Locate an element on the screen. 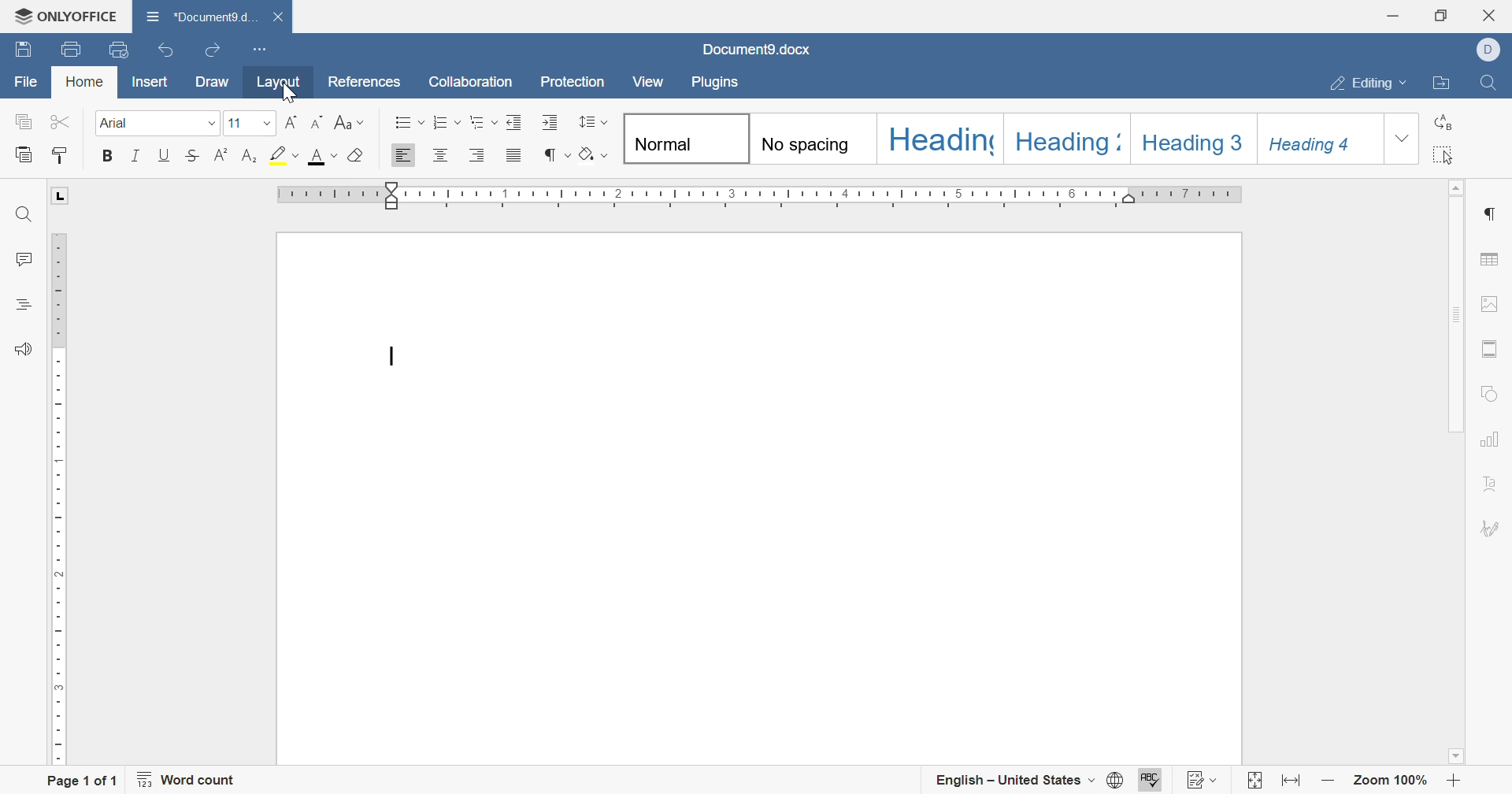  L is located at coordinates (62, 195).